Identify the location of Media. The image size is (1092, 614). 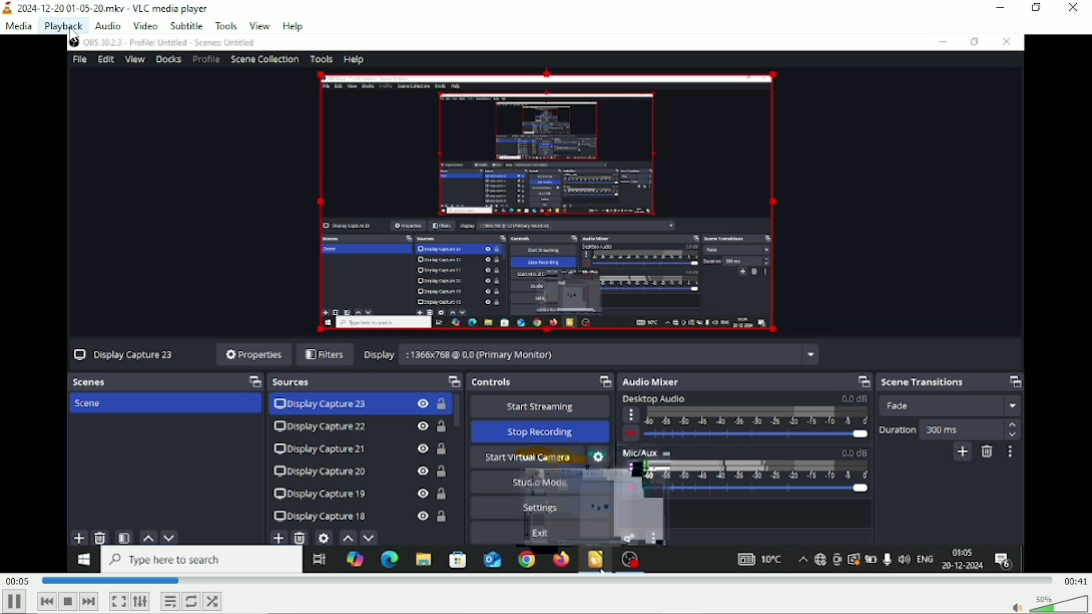
(18, 27).